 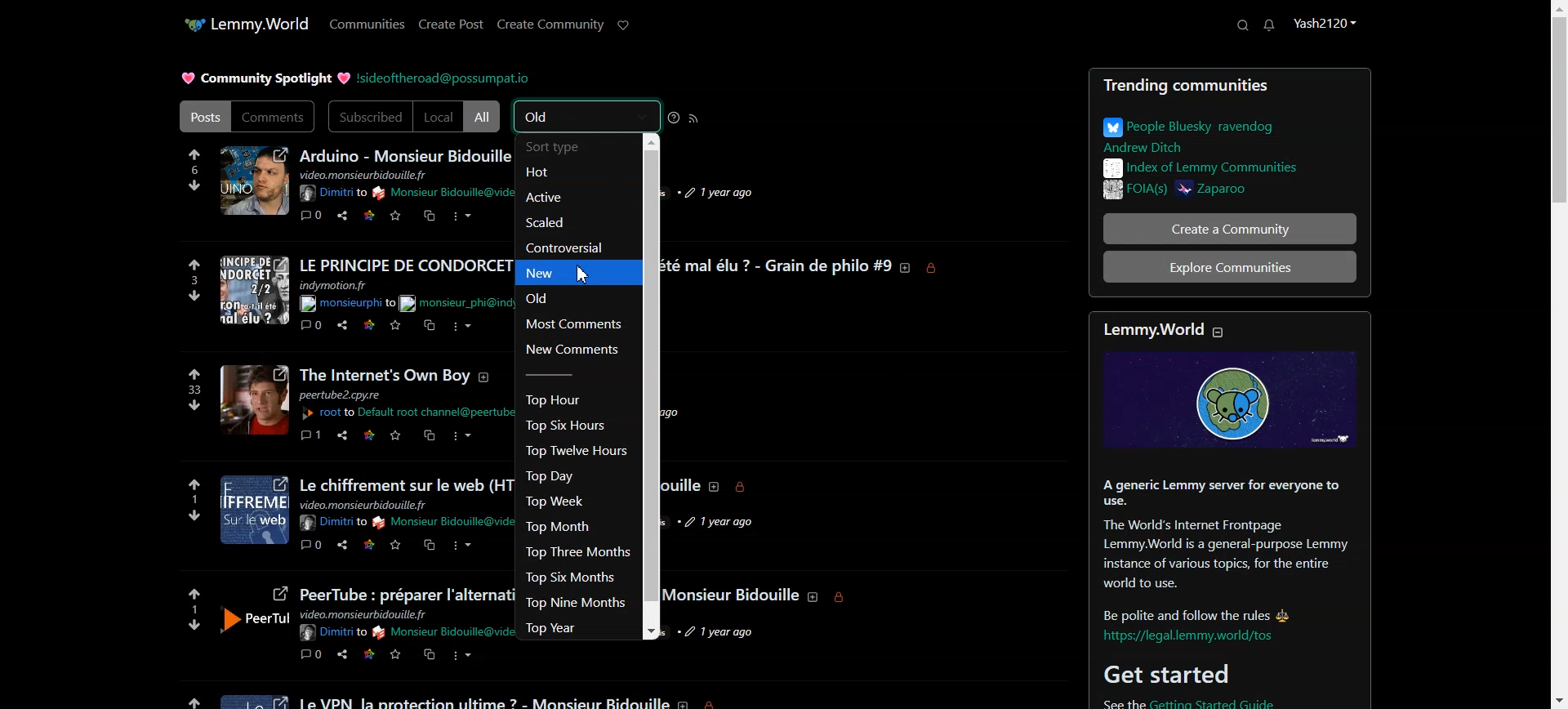 What do you see at coordinates (372, 435) in the screenshot?
I see `` at bounding box center [372, 435].